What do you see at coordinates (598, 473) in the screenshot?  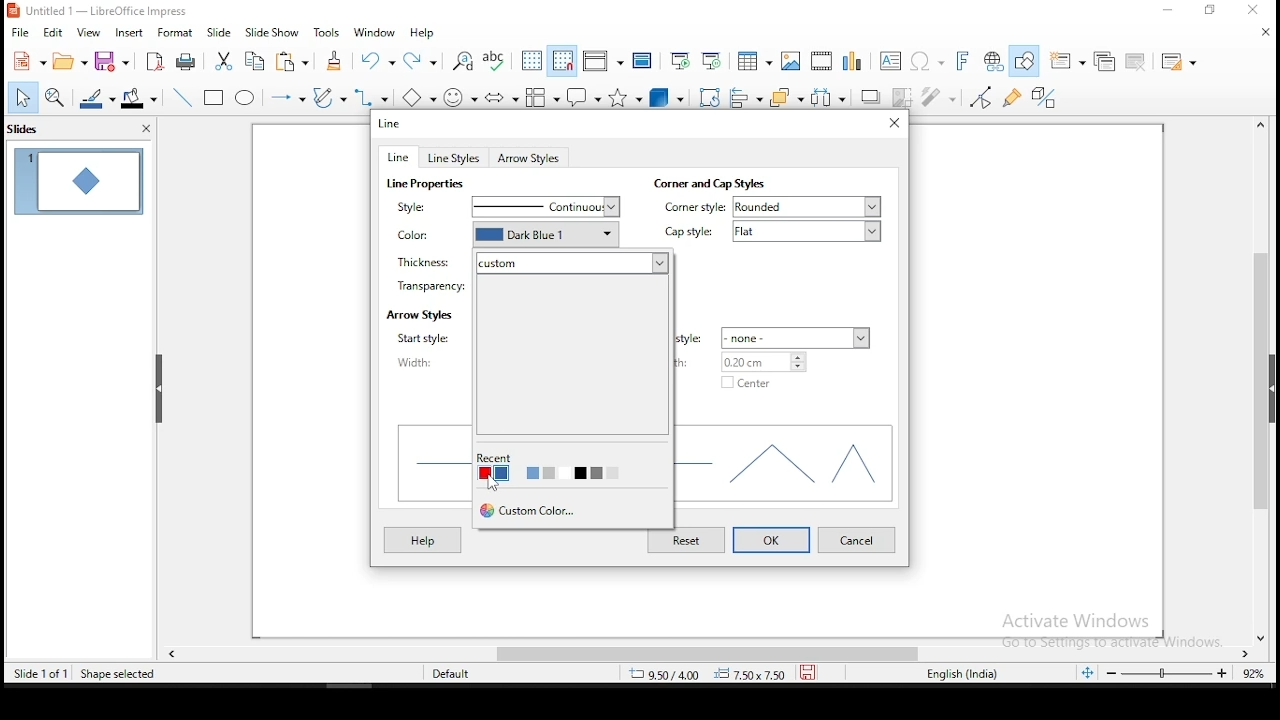 I see `color option` at bounding box center [598, 473].